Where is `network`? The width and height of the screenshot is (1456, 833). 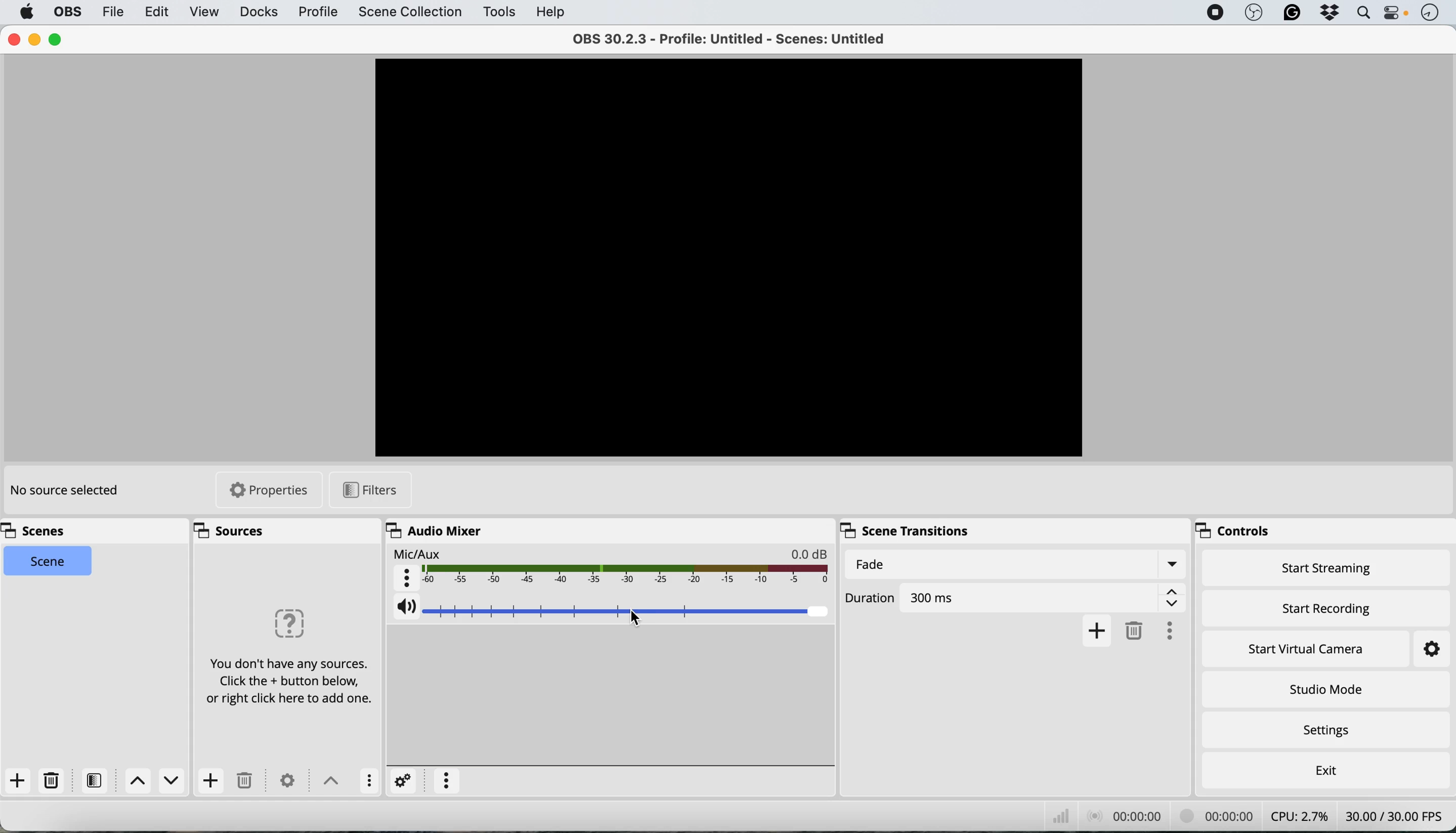 network is located at coordinates (1060, 816).